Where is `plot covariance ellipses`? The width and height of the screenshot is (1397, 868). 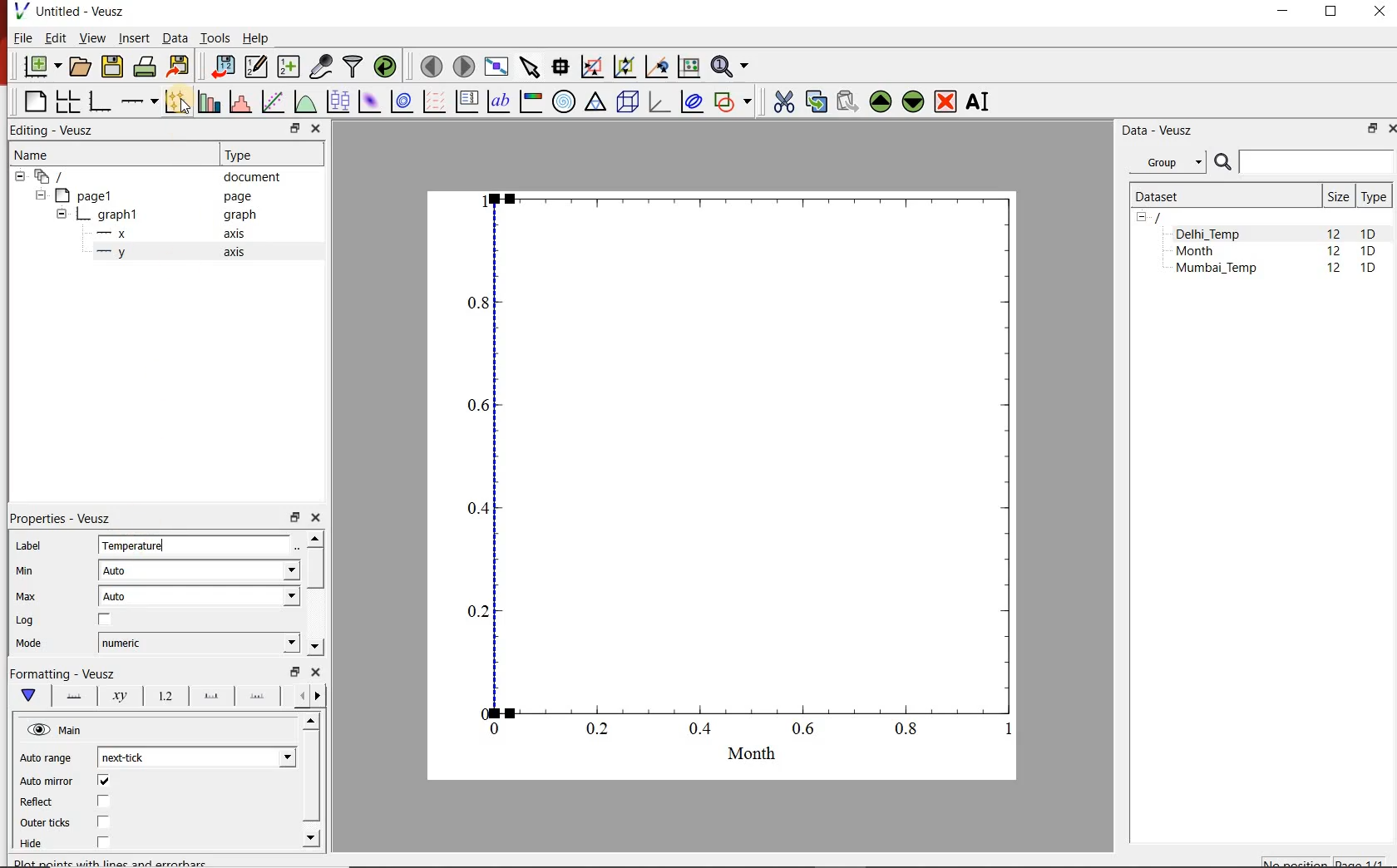
plot covariance ellipses is located at coordinates (692, 101).